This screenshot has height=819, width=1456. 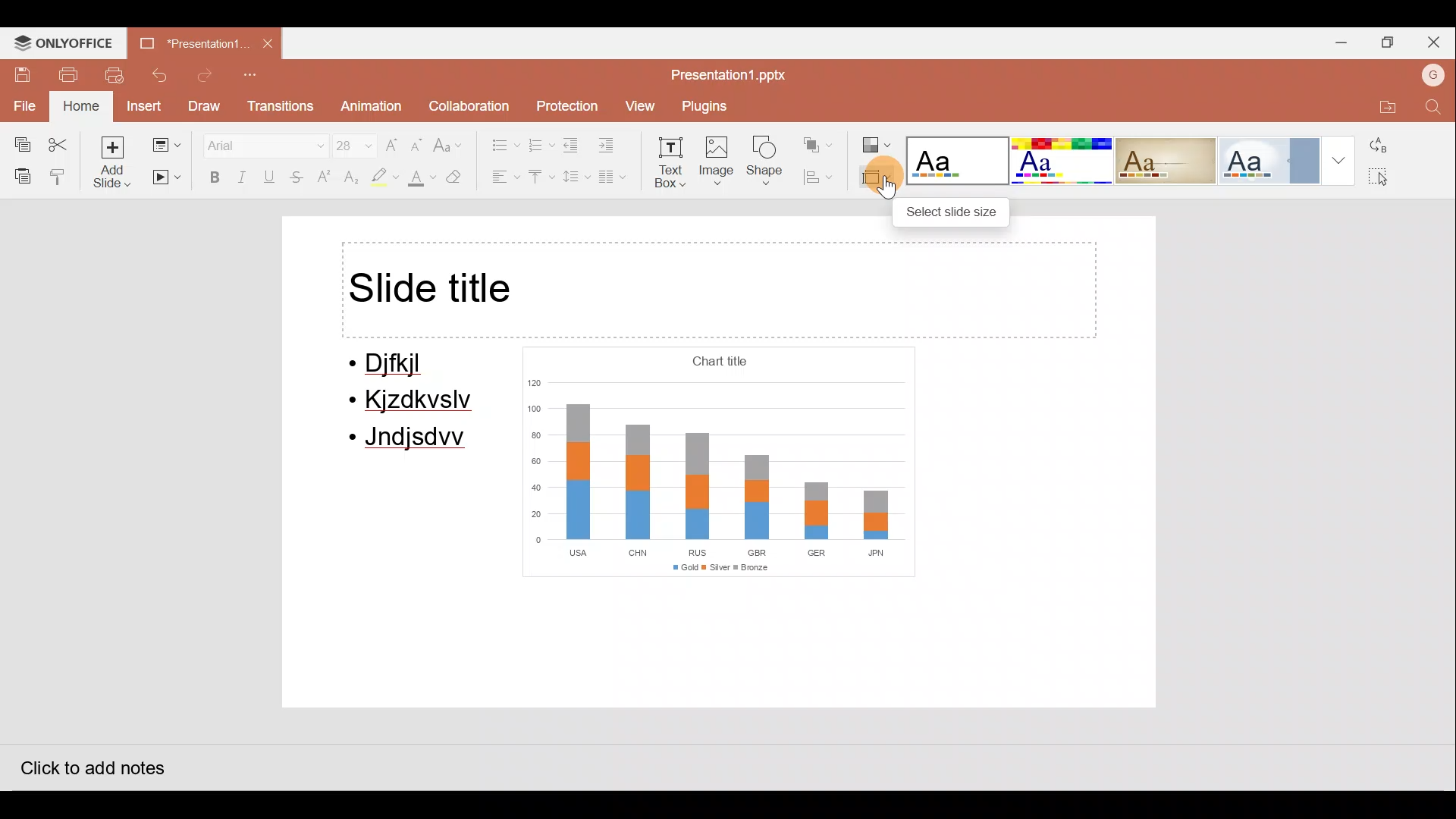 What do you see at coordinates (187, 39) in the screenshot?
I see `Presentation1.` at bounding box center [187, 39].